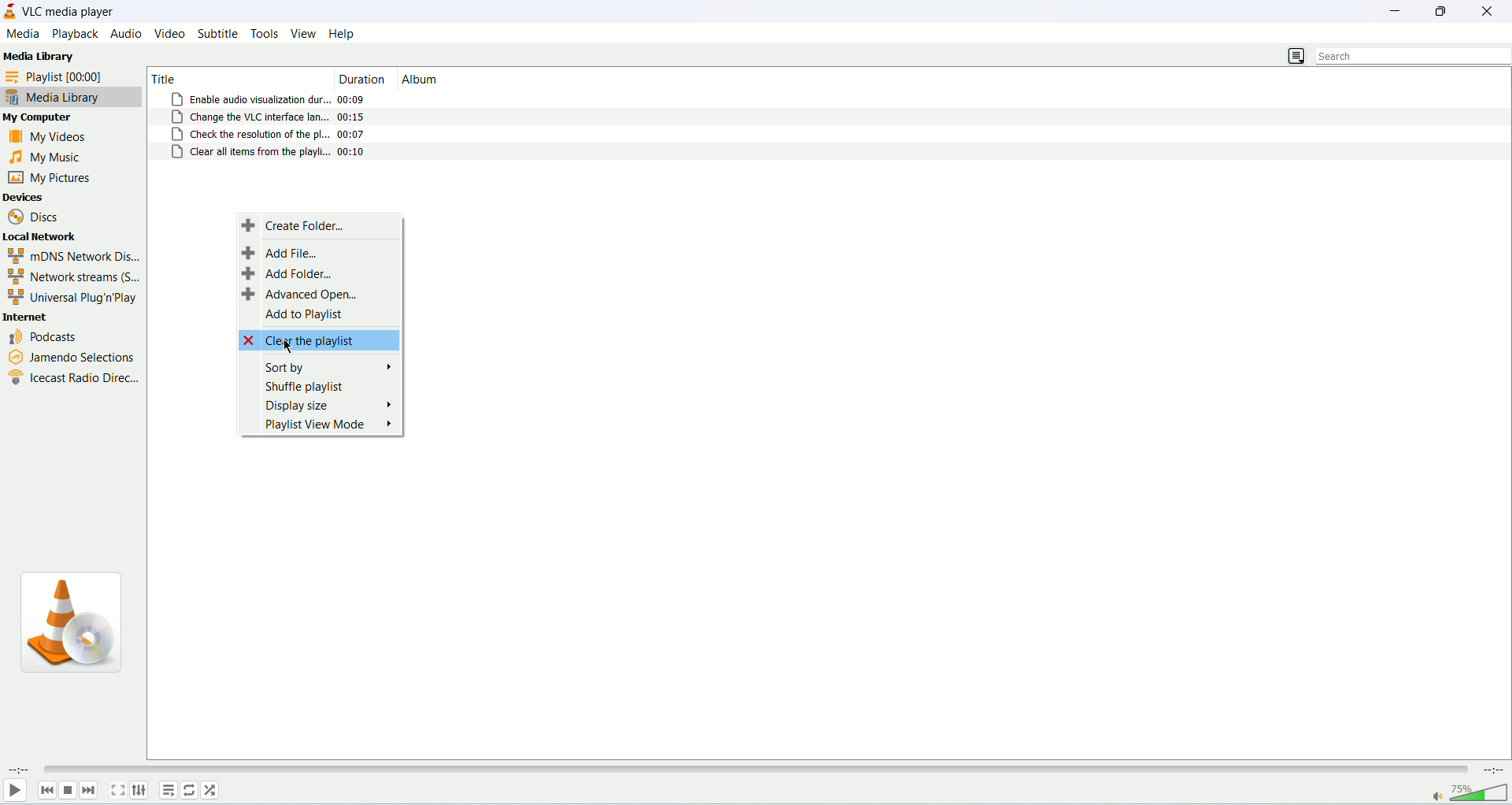 This screenshot has width=1512, height=805. I want to click on advanced open, so click(299, 294).